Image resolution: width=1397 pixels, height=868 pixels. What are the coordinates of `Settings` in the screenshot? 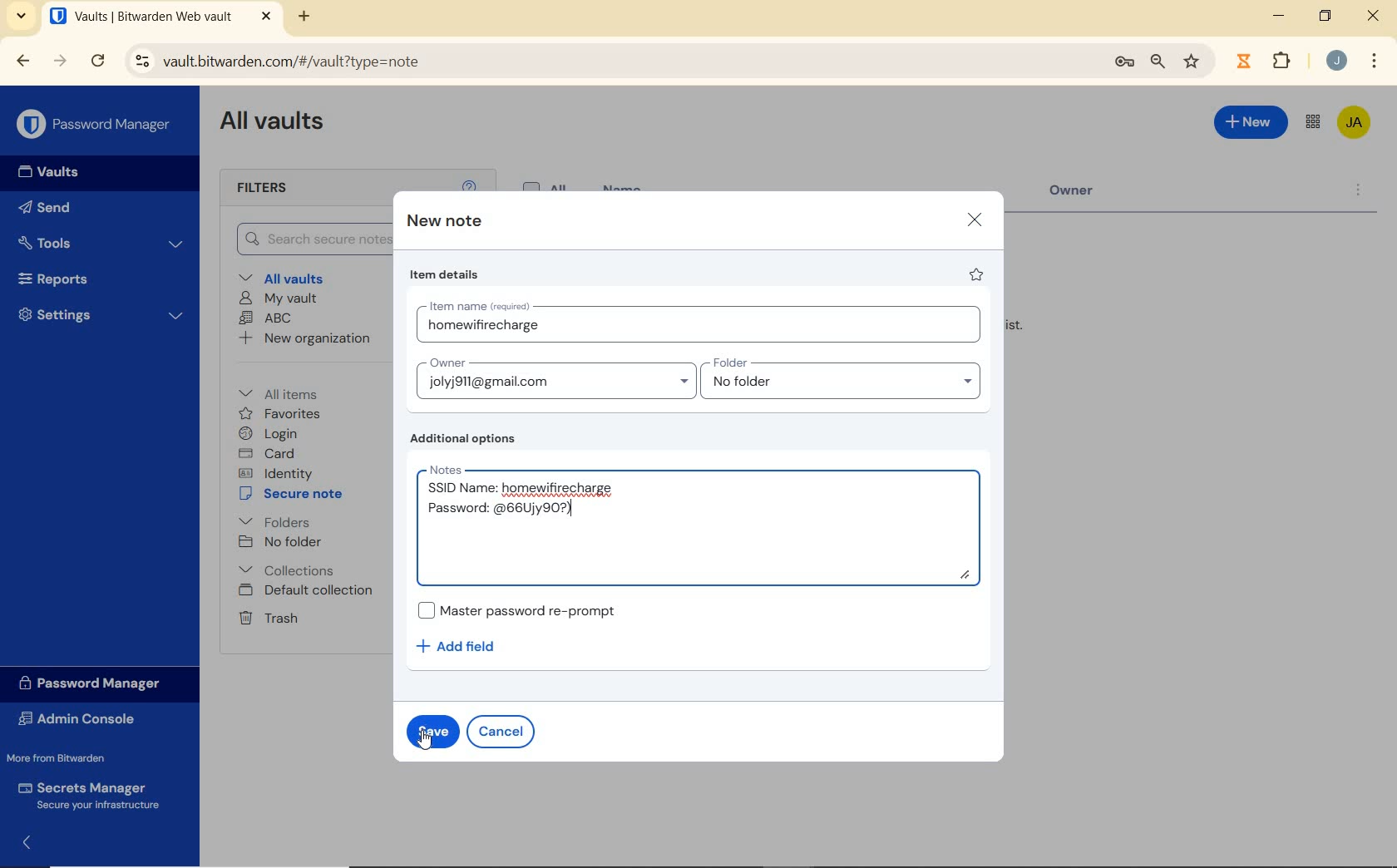 It's located at (99, 314).